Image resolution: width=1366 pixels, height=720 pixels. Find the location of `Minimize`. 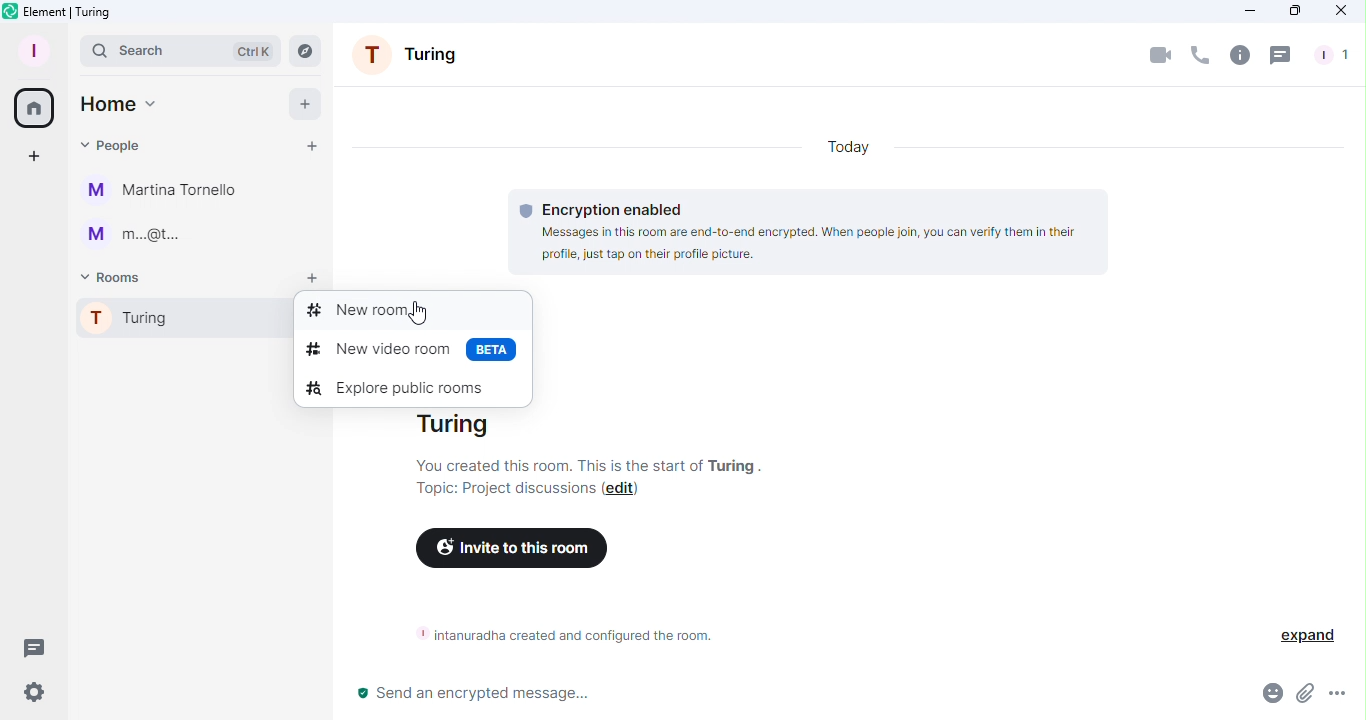

Minimize is located at coordinates (1245, 11).